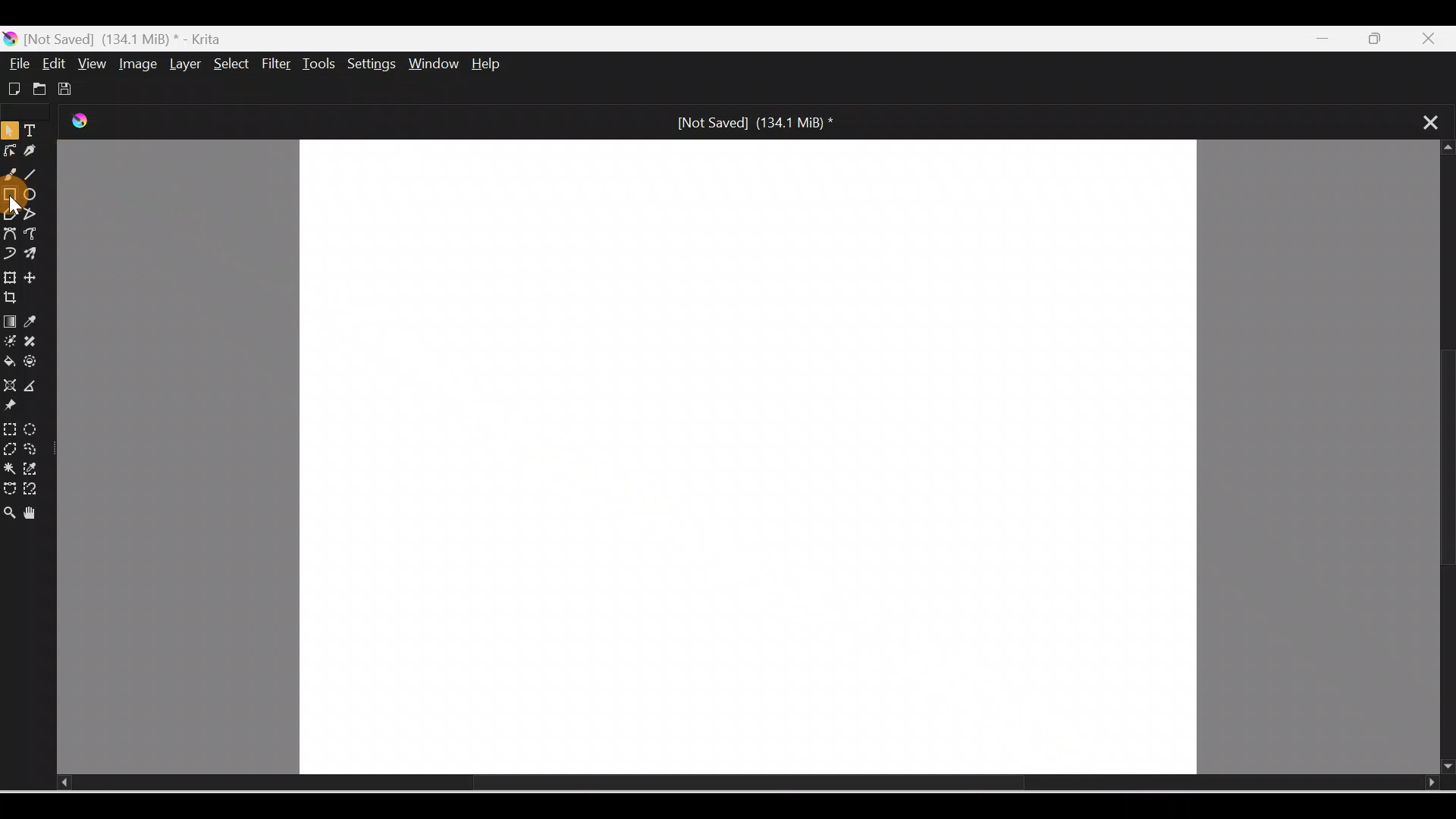  Describe the element at coordinates (373, 65) in the screenshot. I see `Settings` at that location.